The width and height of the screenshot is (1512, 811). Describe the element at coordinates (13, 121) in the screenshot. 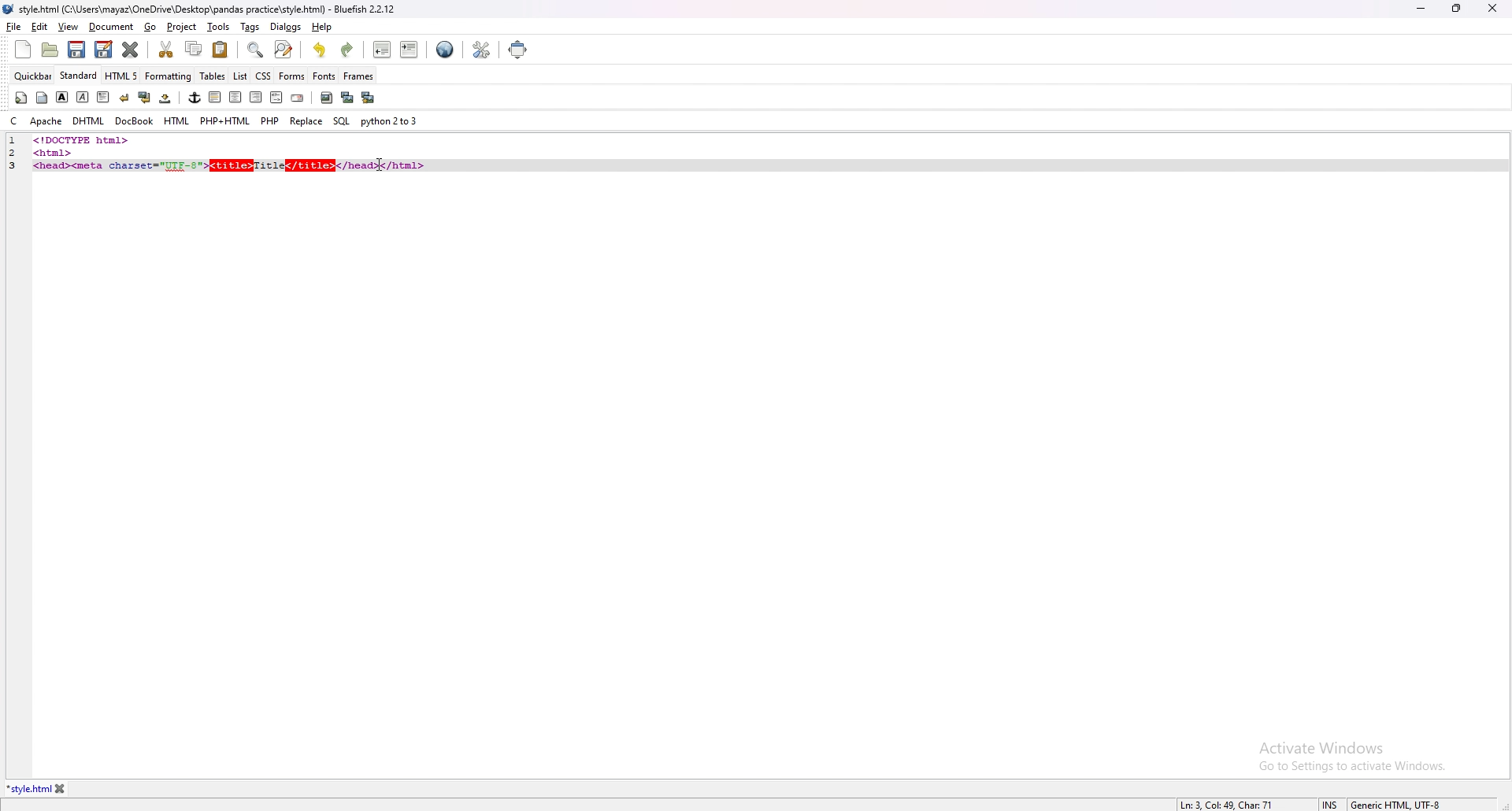

I see `c` at that location.